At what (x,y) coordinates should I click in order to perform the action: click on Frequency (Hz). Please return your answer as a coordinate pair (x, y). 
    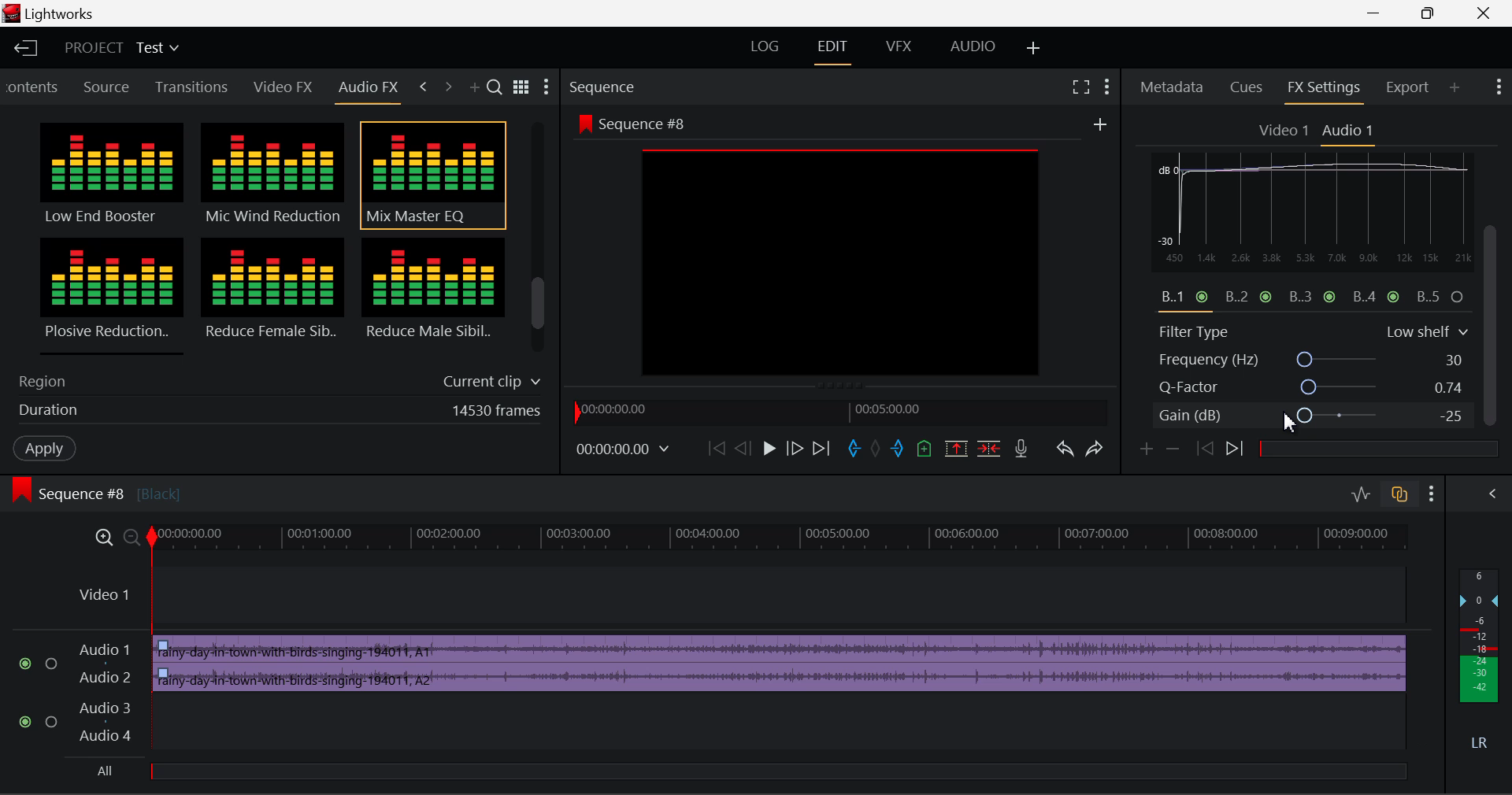
    Looking at the image, I should click on (1314, 360).